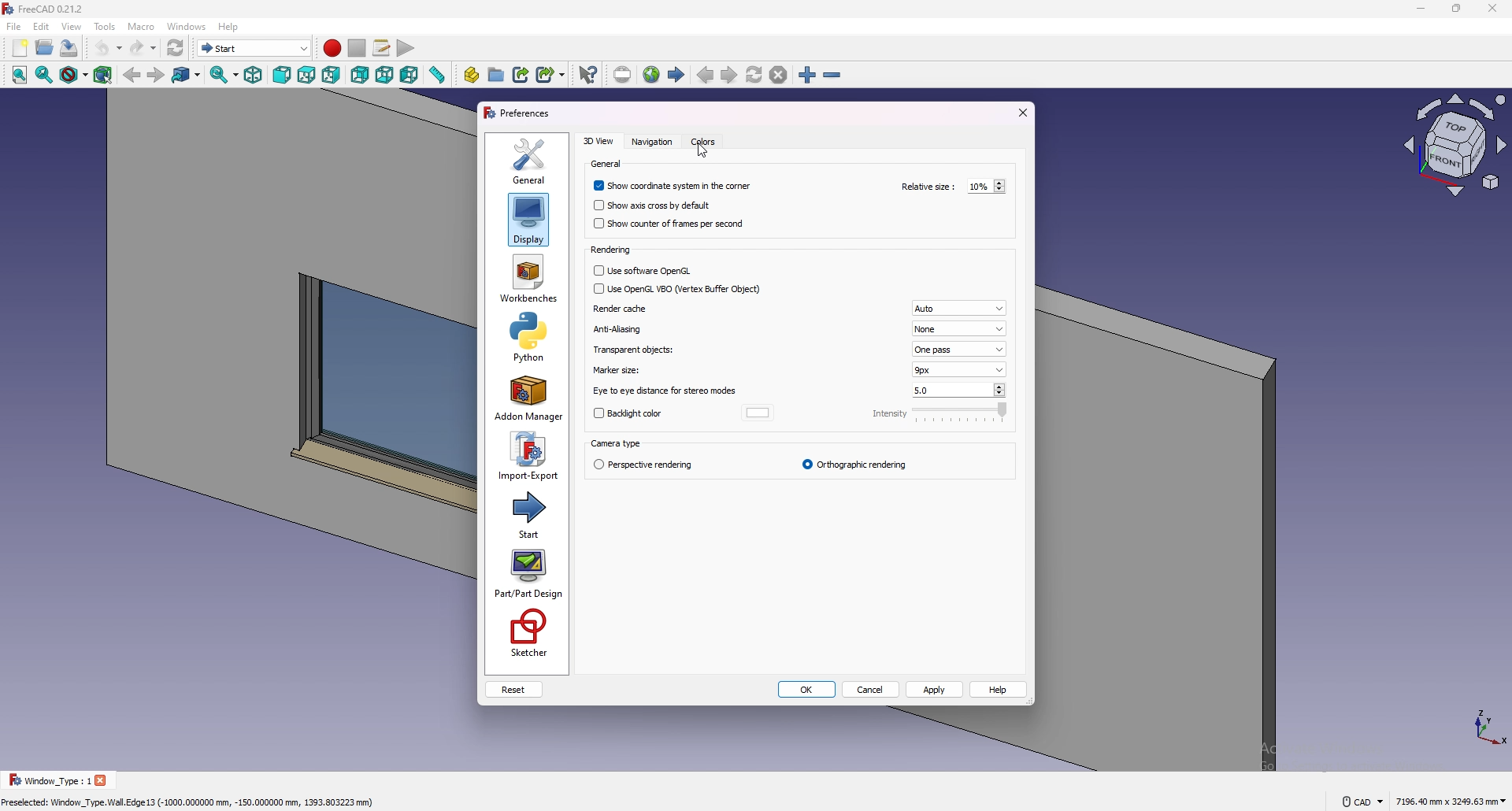 This screenshot has height=811, width=1512. Describe the element at coordinates (14, 27) in the screenshot. I see `file` at that location.